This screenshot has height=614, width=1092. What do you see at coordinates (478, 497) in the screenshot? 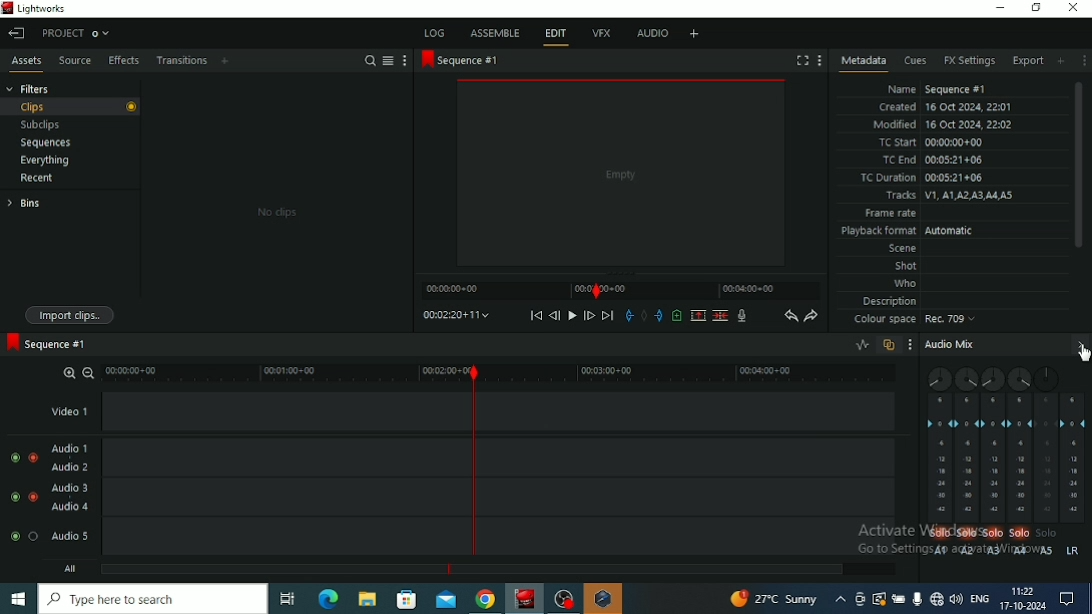
I see `Audio 3, Audio 4` at bounding box center [478, 497].